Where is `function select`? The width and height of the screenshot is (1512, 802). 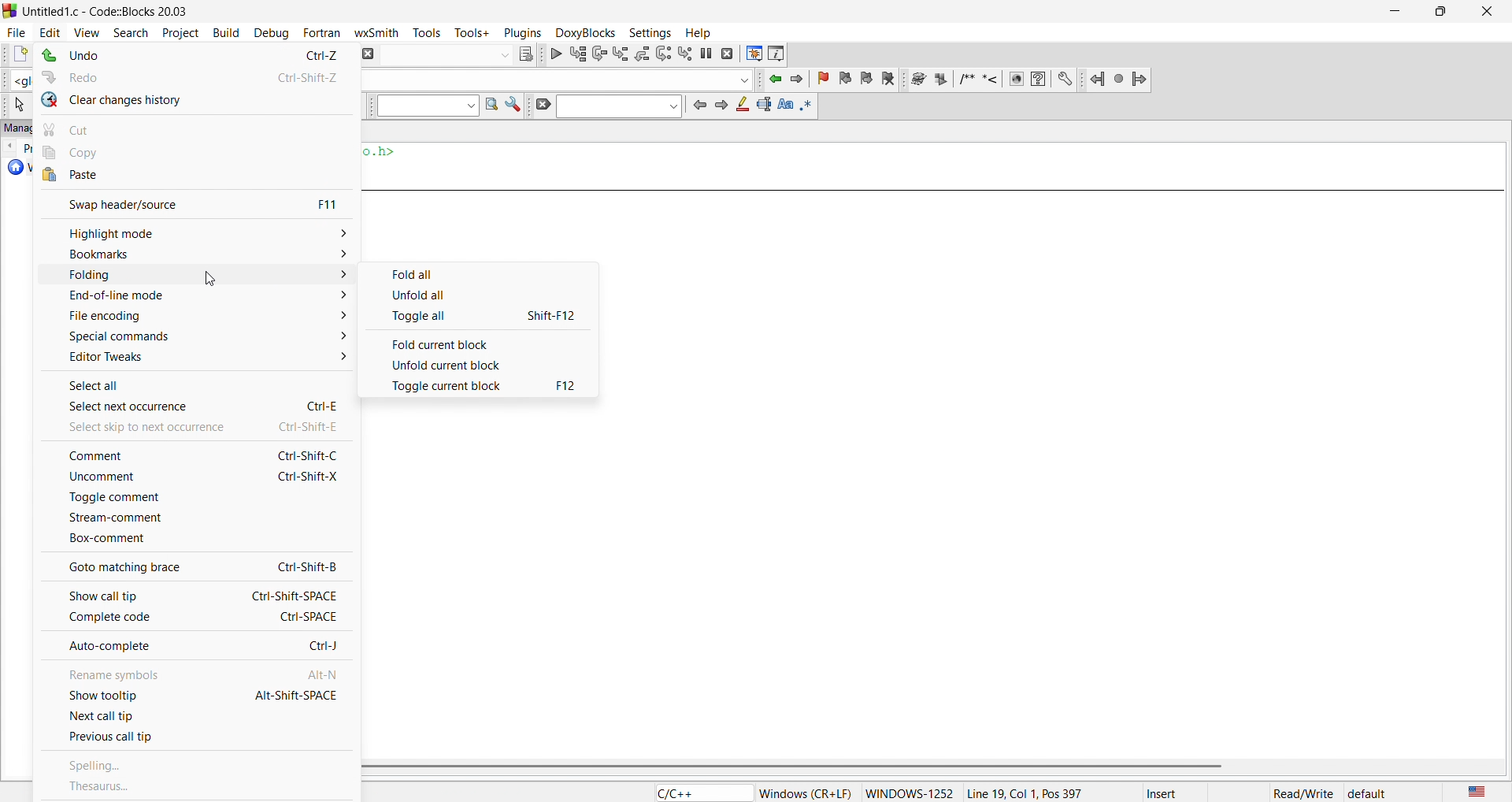 function select is located at coordinates (558, 79).